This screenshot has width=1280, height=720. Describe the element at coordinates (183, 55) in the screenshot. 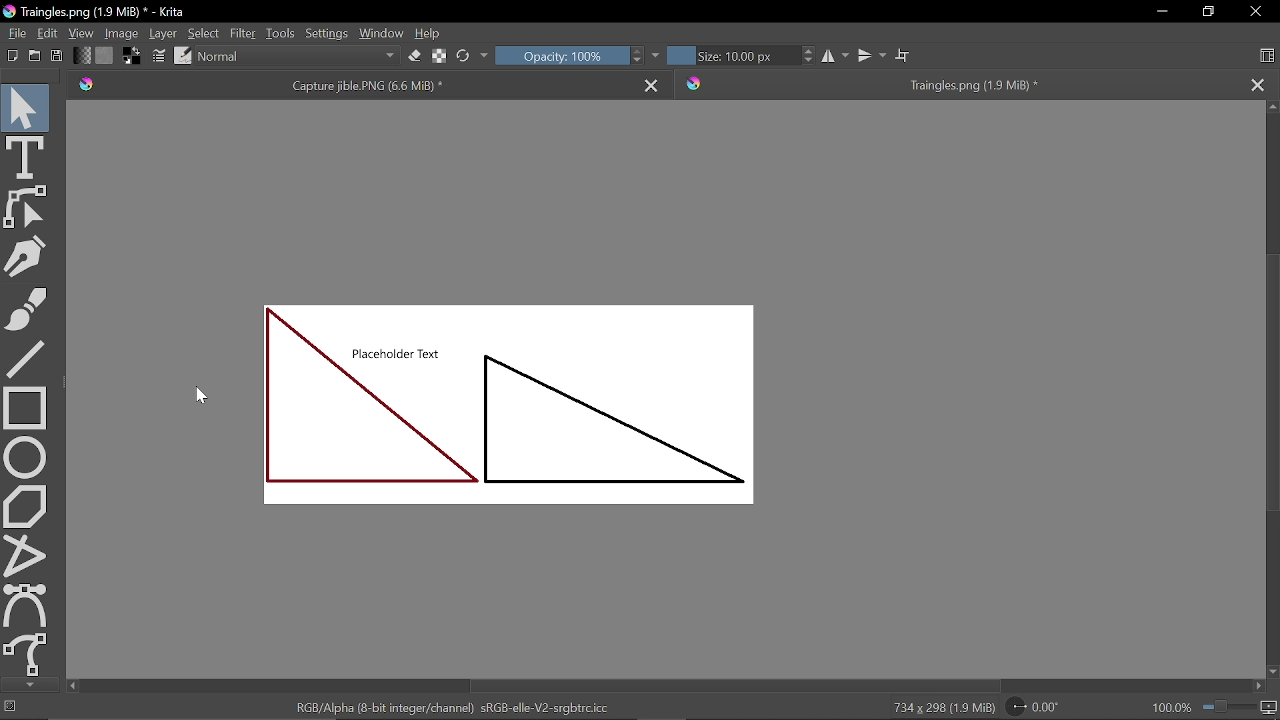

I see `Choose brush preset` at that location.